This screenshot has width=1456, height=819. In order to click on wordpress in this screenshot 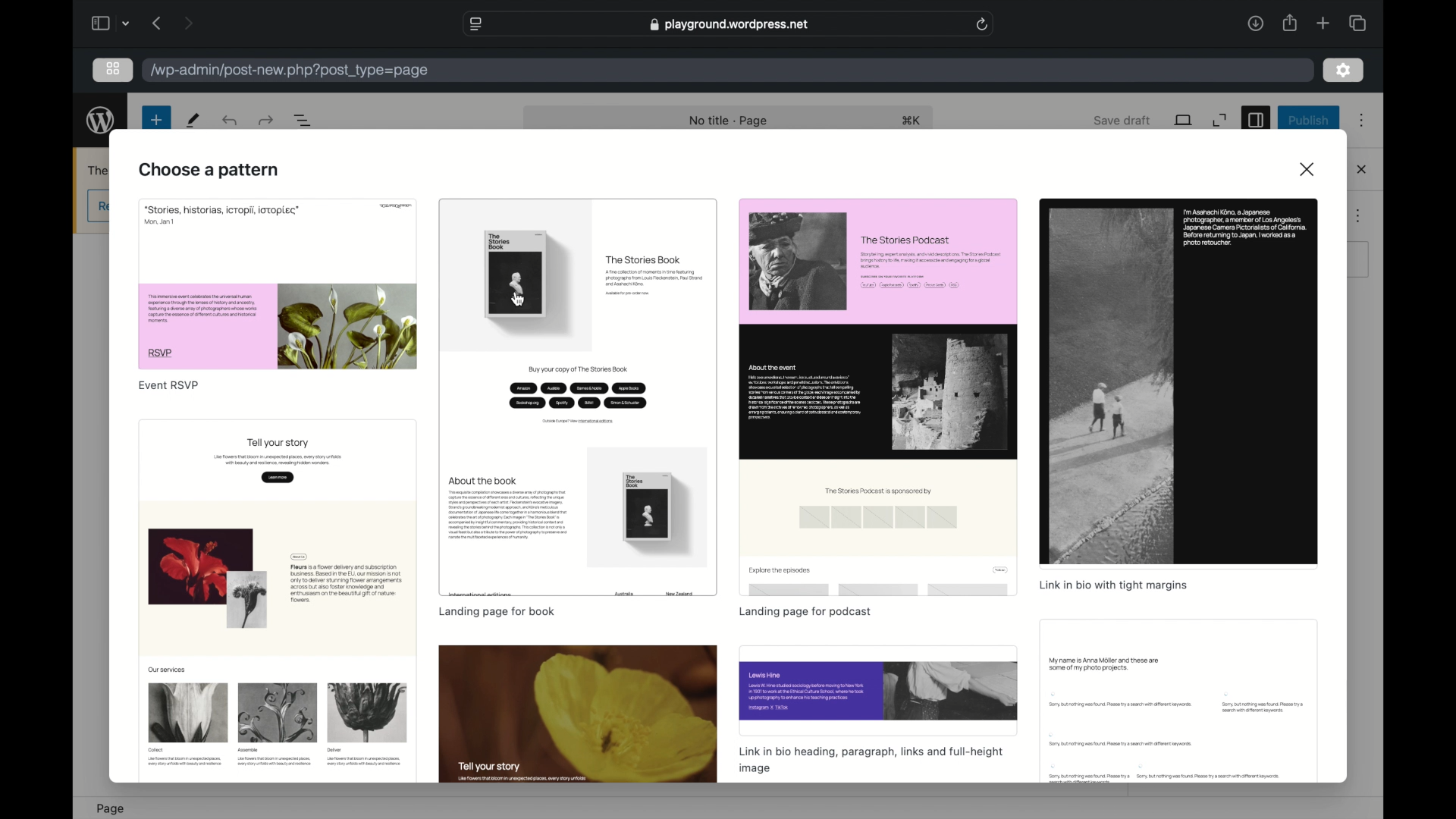, I will do `click(102, 120)`.